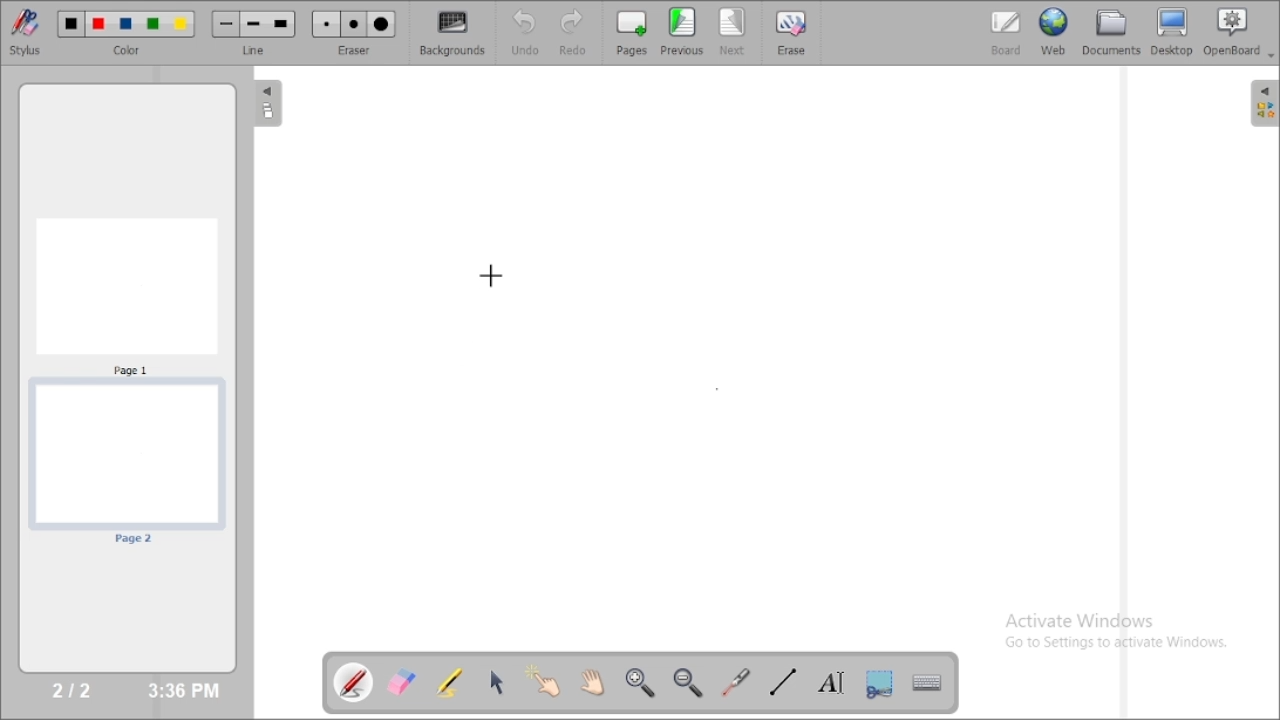  I want to click on Color 5, so click(181, 24).